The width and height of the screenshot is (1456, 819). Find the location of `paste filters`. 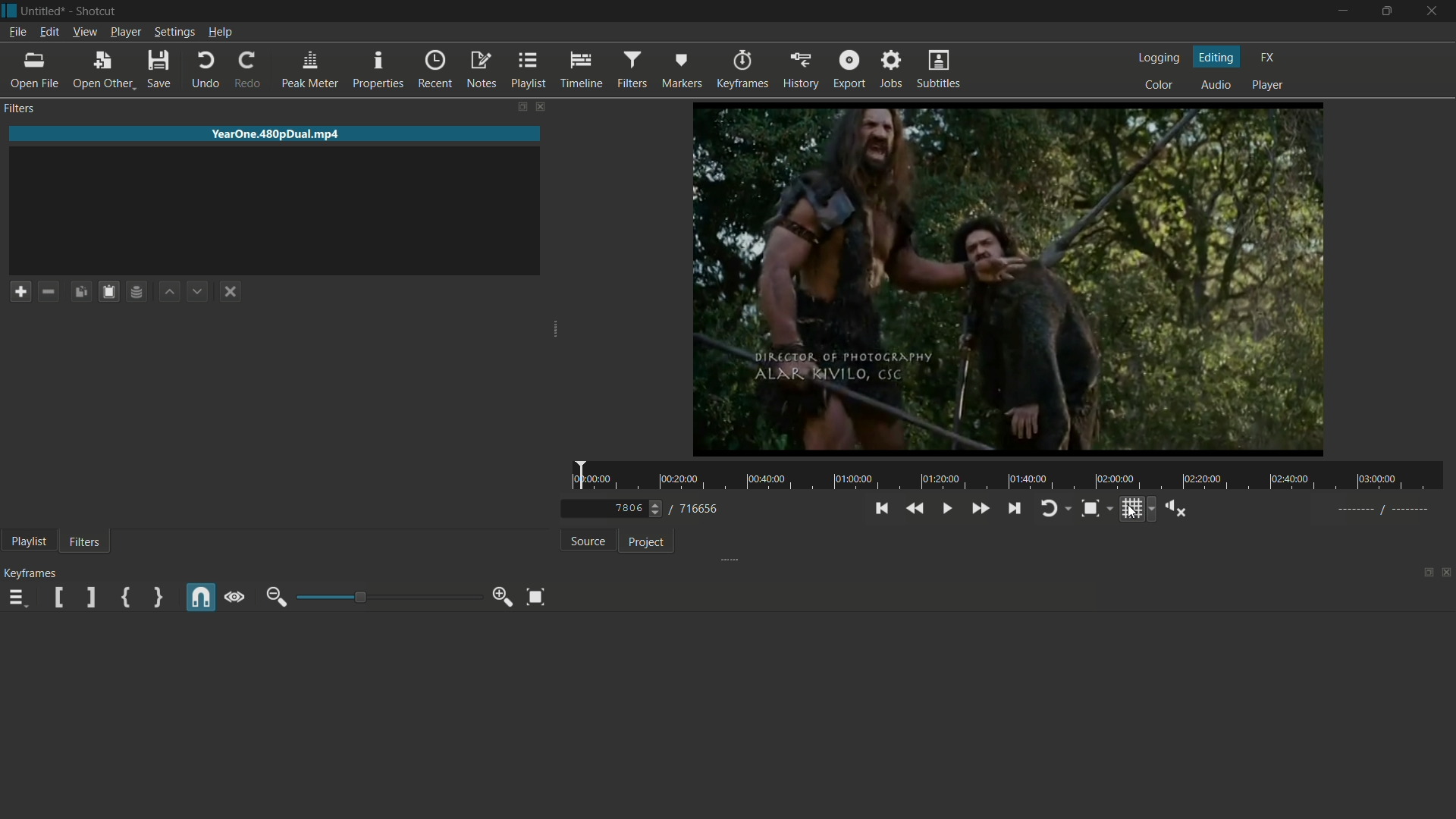

paste filters is located at coordinates (108, 292).